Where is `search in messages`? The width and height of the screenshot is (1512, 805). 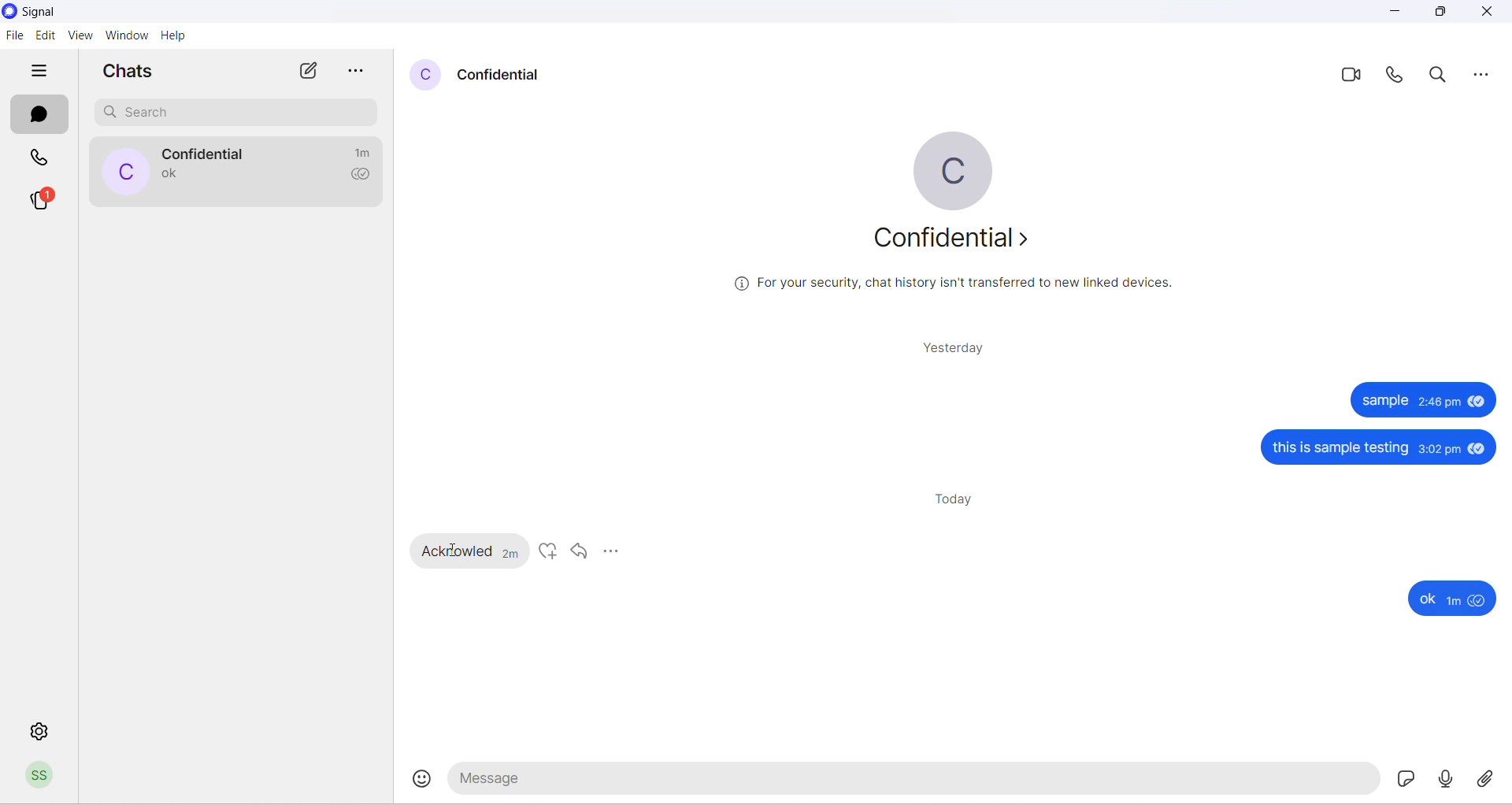
search in messages is located at coordinates (1444, 76).